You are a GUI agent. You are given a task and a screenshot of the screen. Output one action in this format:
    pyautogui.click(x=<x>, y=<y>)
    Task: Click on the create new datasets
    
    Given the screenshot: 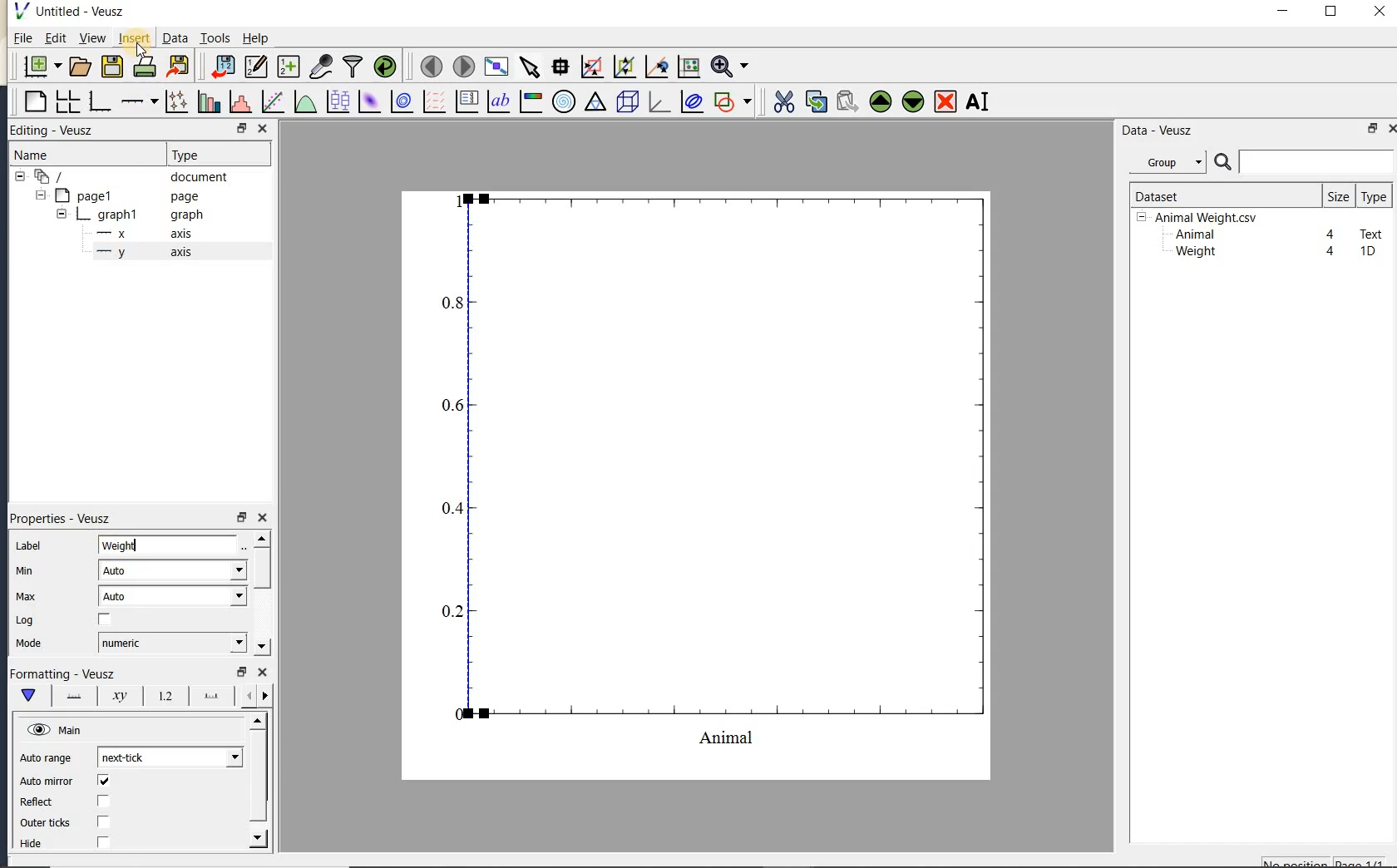 What is the action you would take?
    pyautogui.click(x=289, y=65)
    